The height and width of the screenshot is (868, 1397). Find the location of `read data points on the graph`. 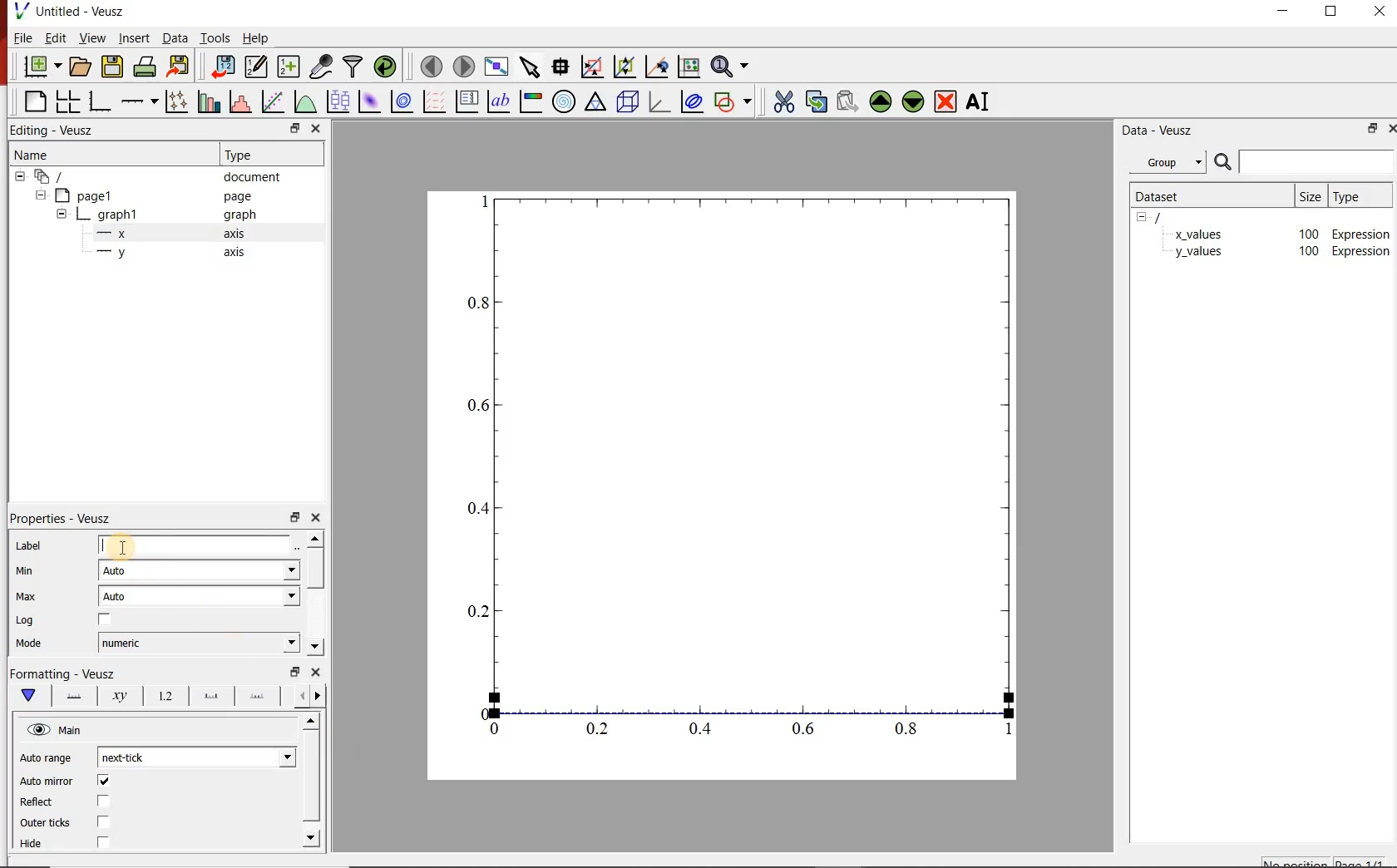

read data points on the graph is located at coordinates (561, 66).